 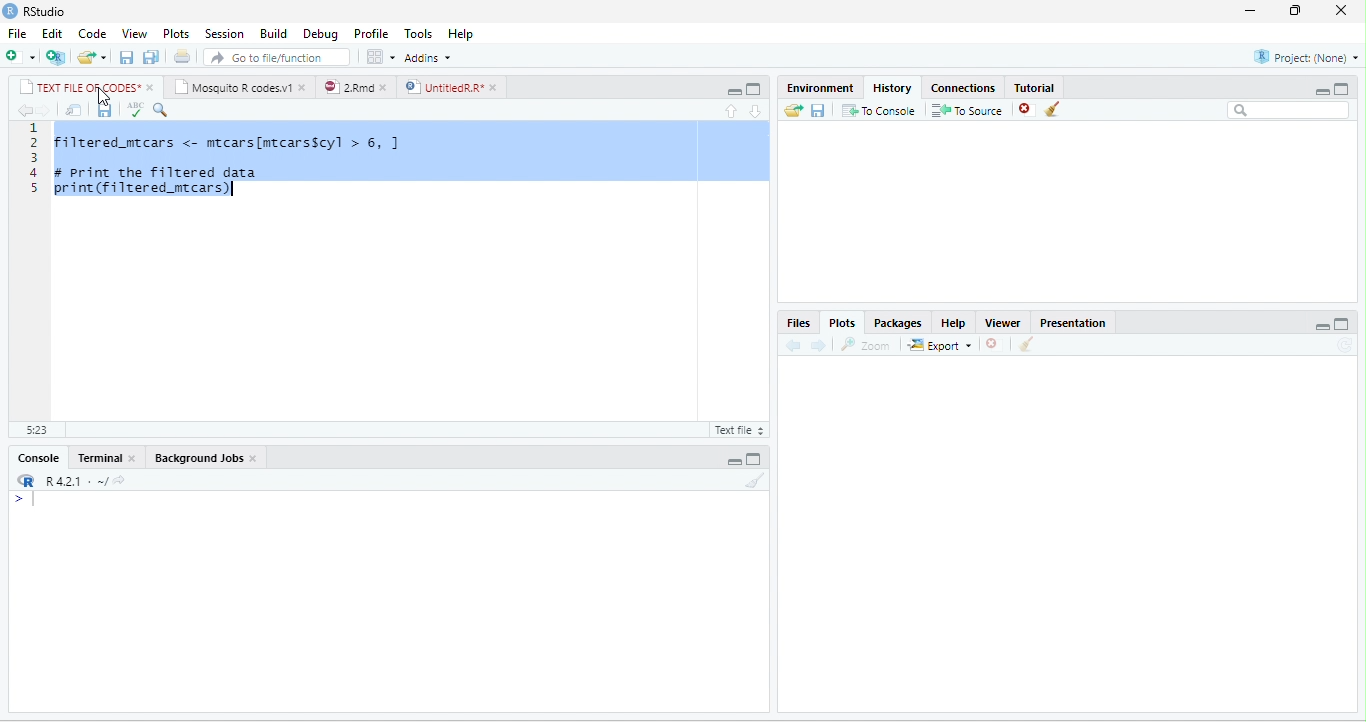 I want to click on Zoom, so click(x=864, y=345).